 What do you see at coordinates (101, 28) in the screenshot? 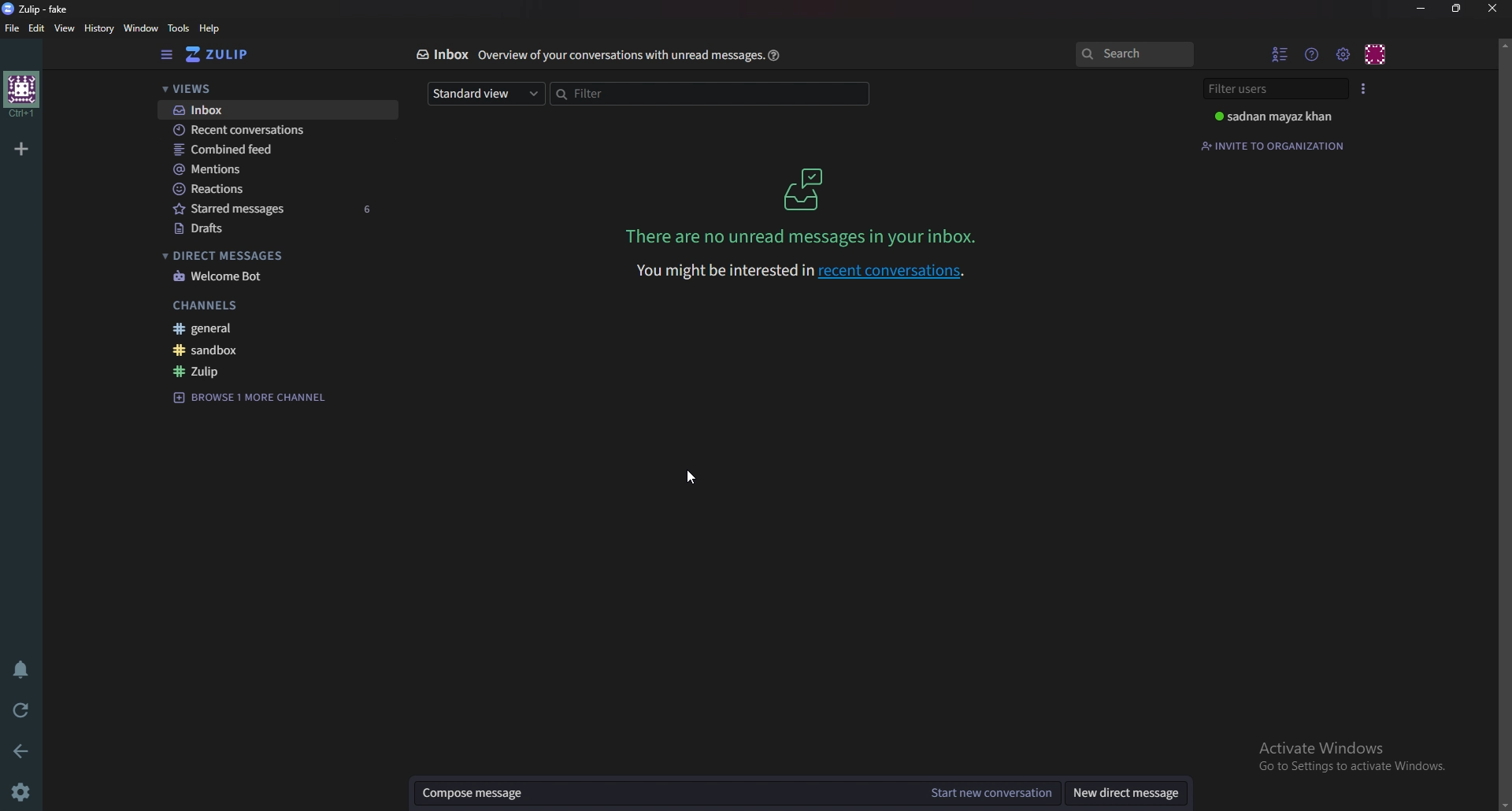
I see `History` at bounding box center [101, 28].